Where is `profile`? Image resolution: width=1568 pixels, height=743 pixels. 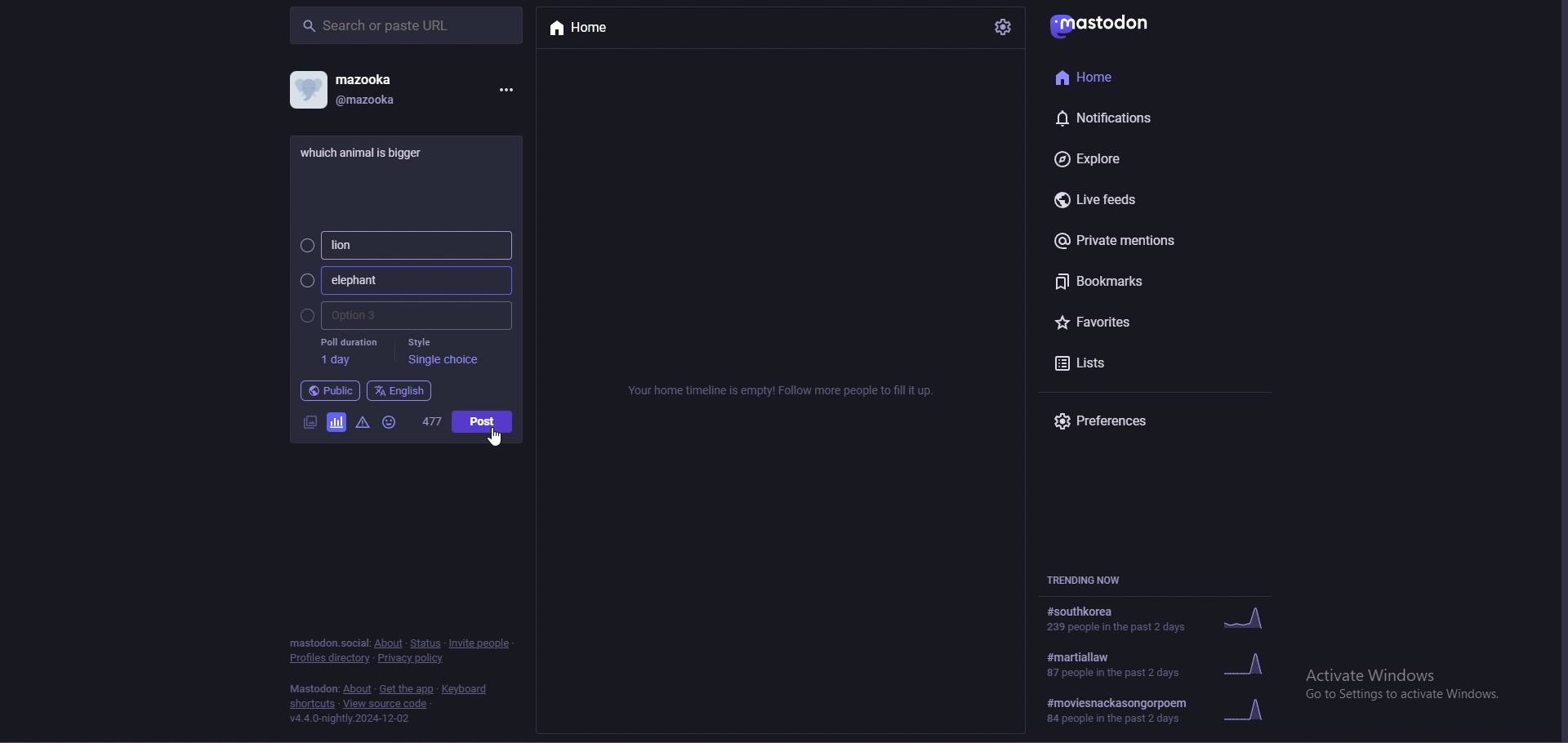 profile is located at coordinates (307, 89).